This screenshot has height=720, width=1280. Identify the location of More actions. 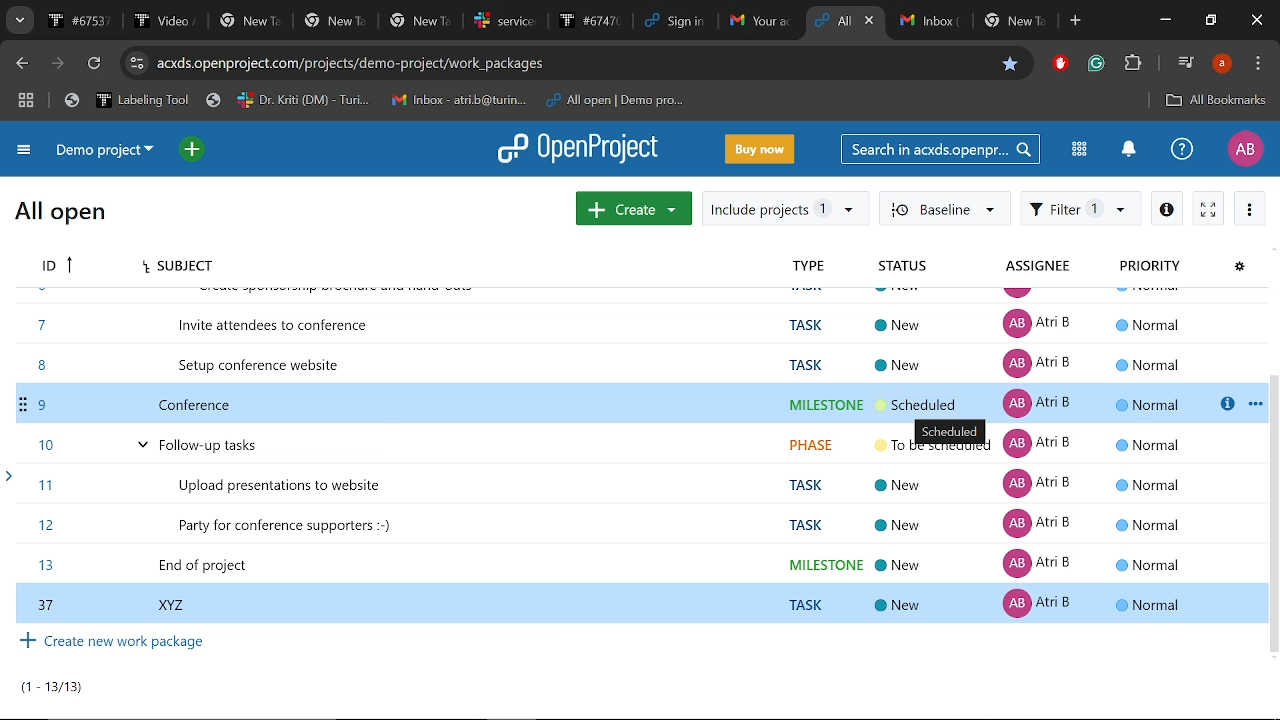
(1252, 208).